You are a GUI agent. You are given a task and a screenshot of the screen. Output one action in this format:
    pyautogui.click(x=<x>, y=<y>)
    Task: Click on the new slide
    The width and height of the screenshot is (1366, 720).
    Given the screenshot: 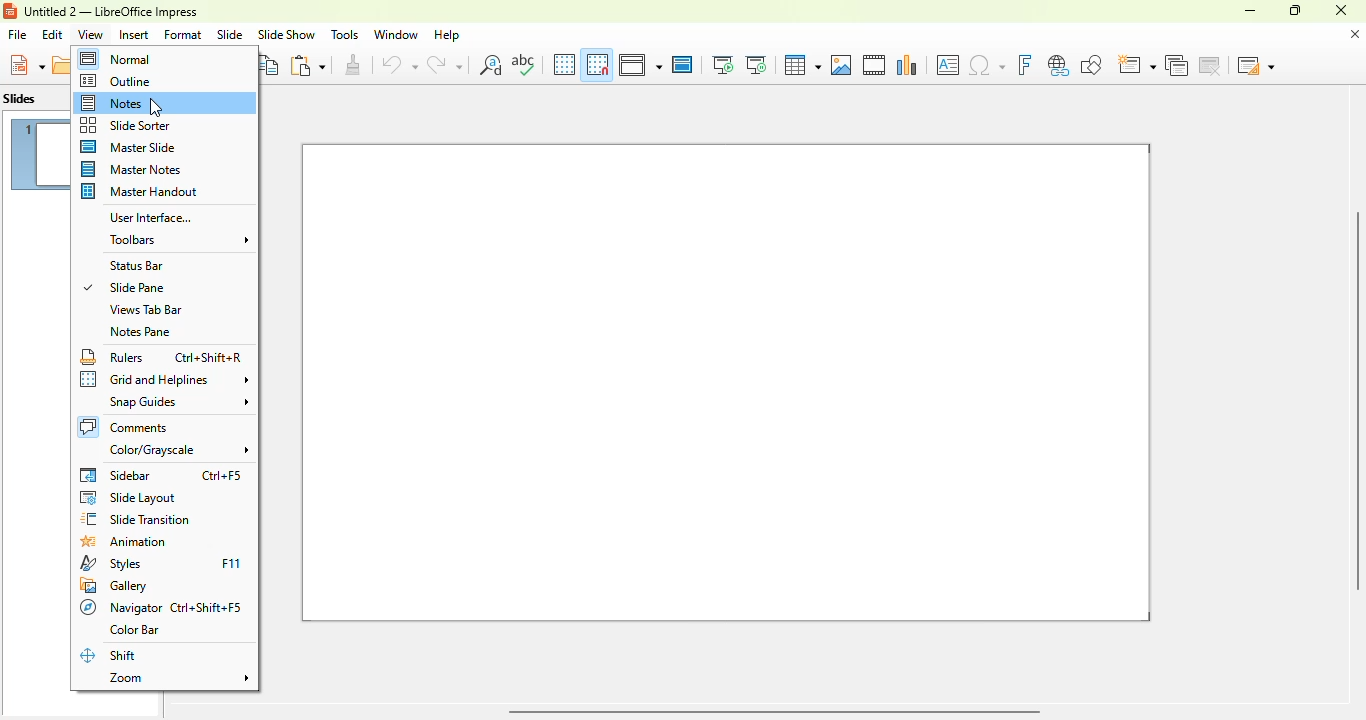 What is the action you would take?
    pyautogui.click(x=1136, y=63)
    